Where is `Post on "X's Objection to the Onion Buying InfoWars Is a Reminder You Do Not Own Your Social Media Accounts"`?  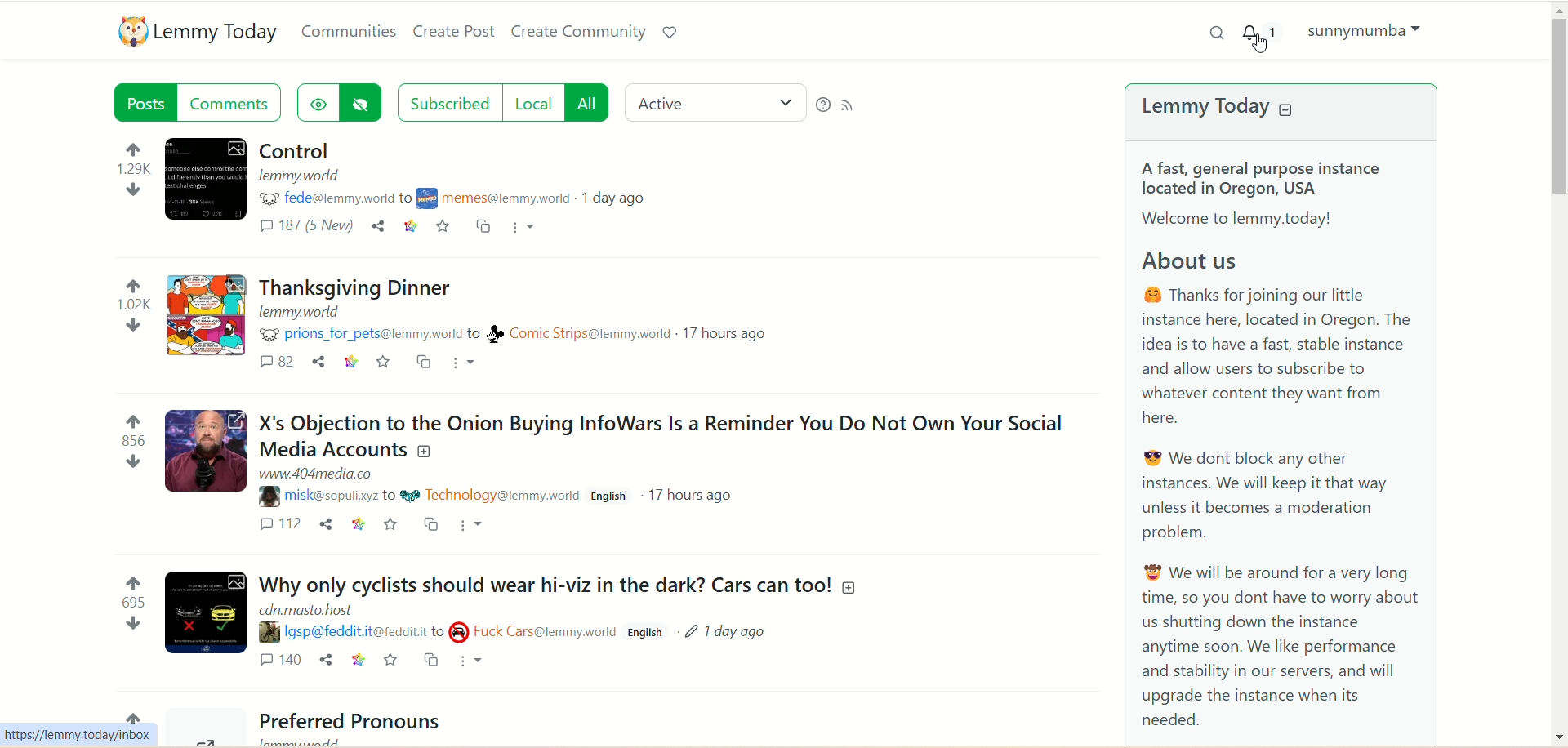
Post on "X's Objection to the Onion Buying InfoWars Is a Reminder You Do Not Own Your Social Media Accounts" is located at coordinates (621, 453).